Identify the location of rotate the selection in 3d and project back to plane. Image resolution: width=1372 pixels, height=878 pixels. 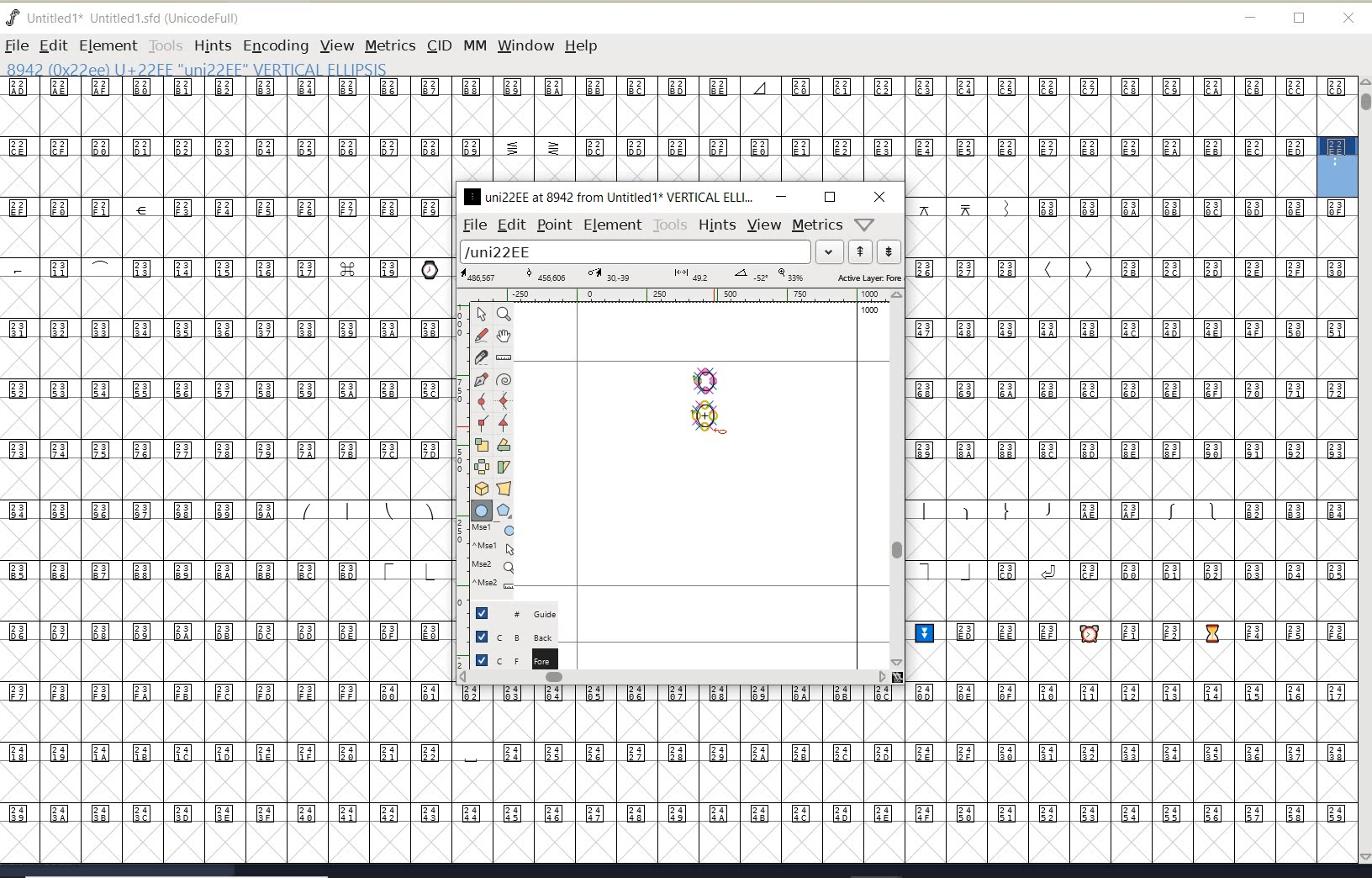
(482, 489).